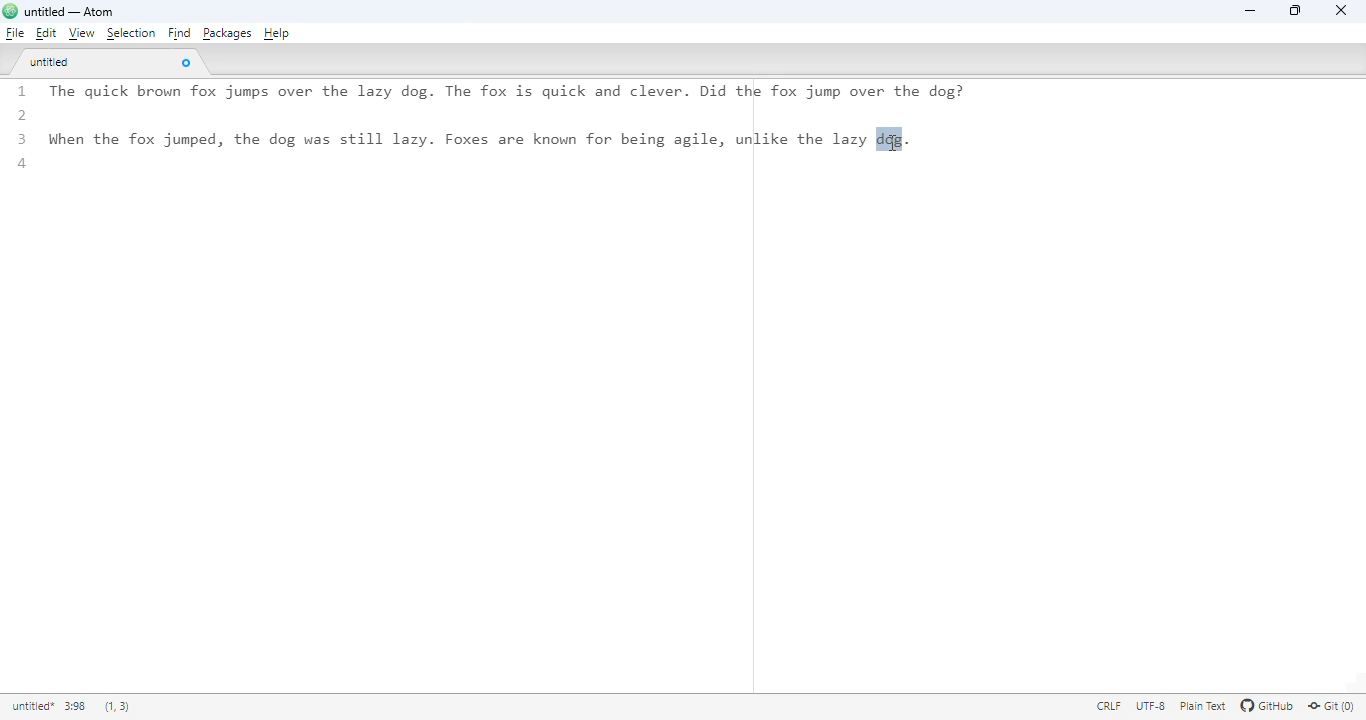 Image resolution: width=1366 pixels, height=720 pixels. I want to click on 3:98, so click(74, 706).